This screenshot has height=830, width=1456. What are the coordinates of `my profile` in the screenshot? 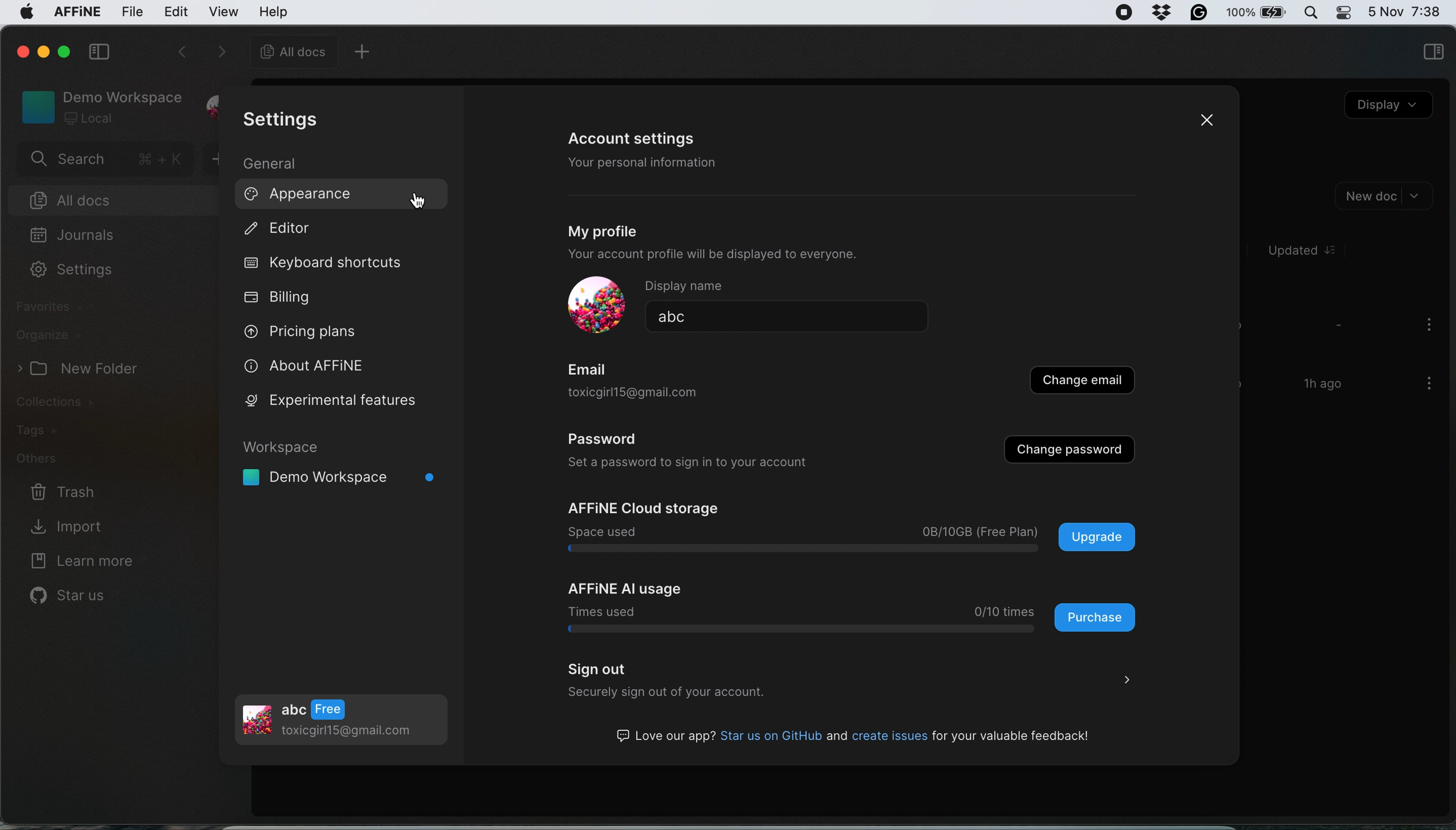 It's located at (616, 233).